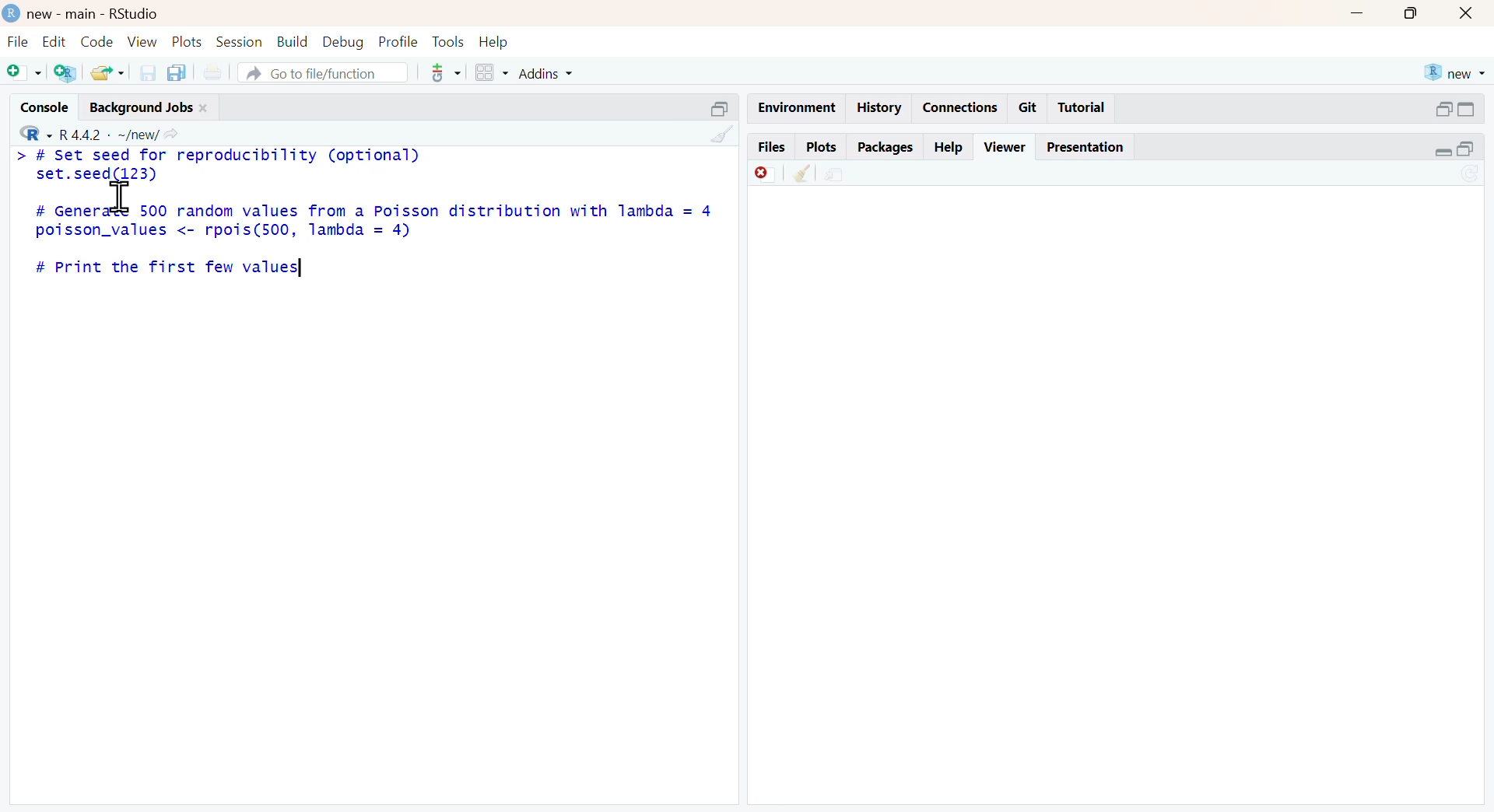  What do you see at coordinates (545, 75) in the screenshot?
I see `addins` at bounding box center [545, 75].